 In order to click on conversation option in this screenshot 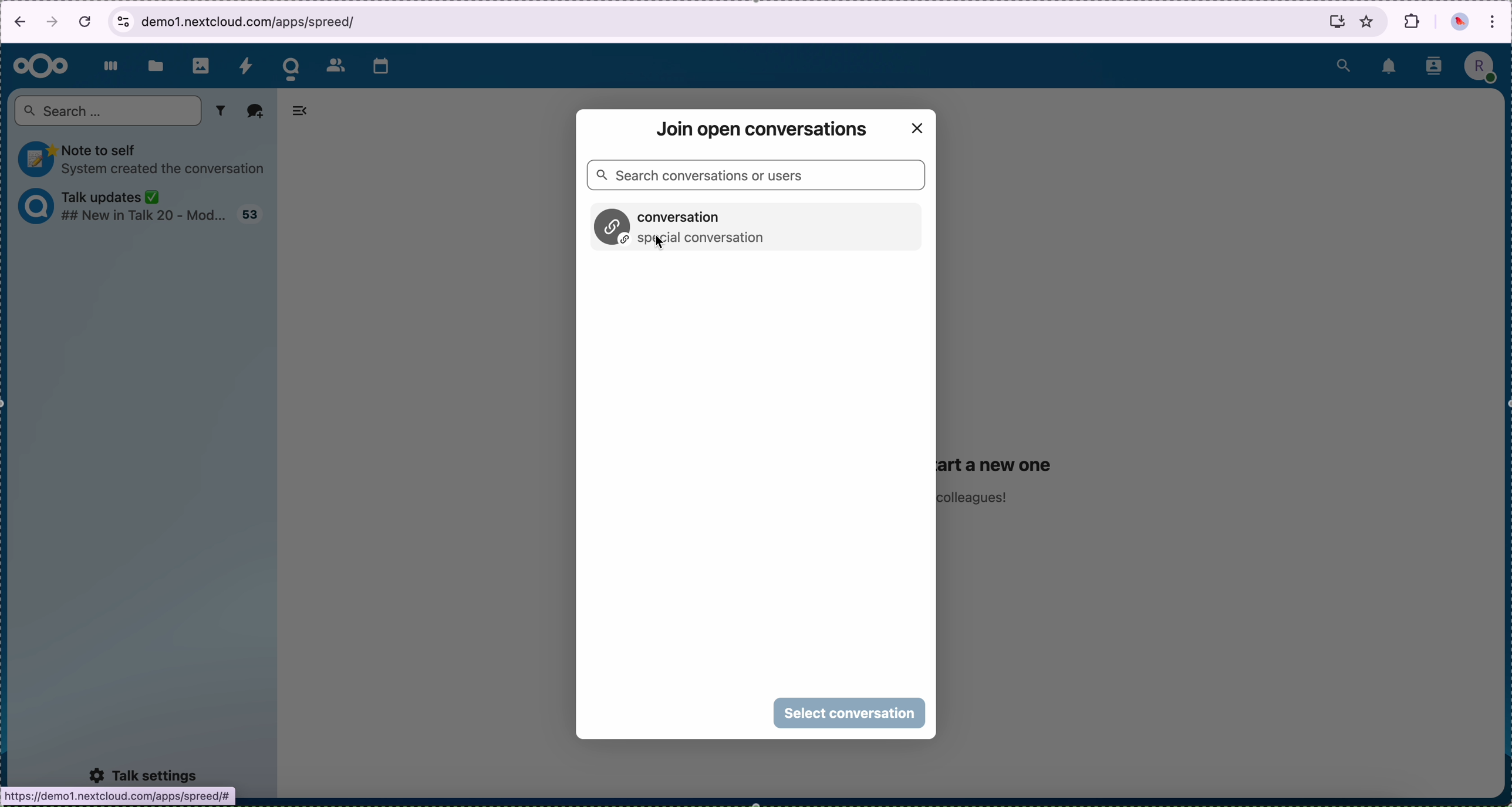, I will do `click(758, 228)`.